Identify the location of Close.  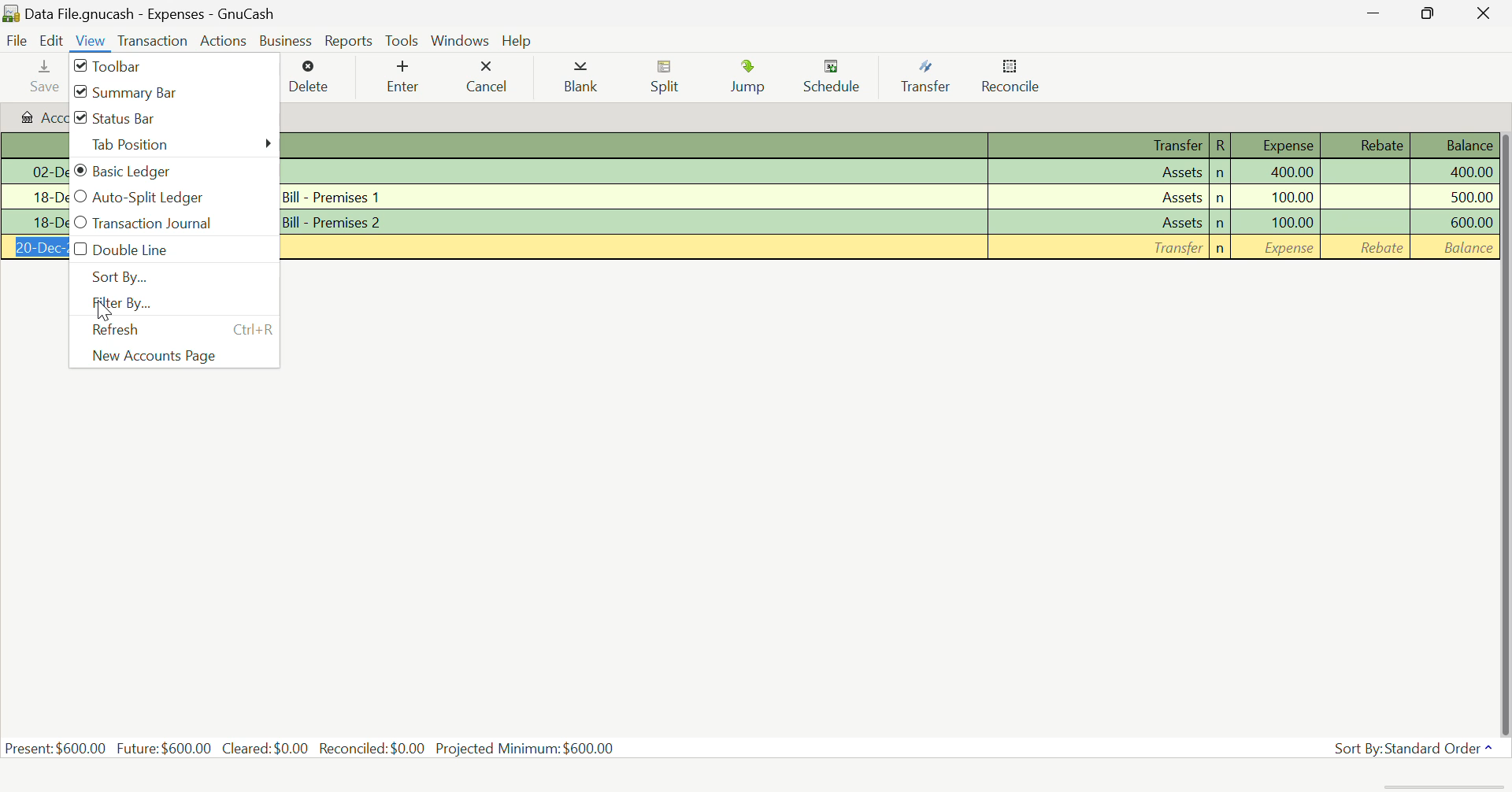
(1484, 13).